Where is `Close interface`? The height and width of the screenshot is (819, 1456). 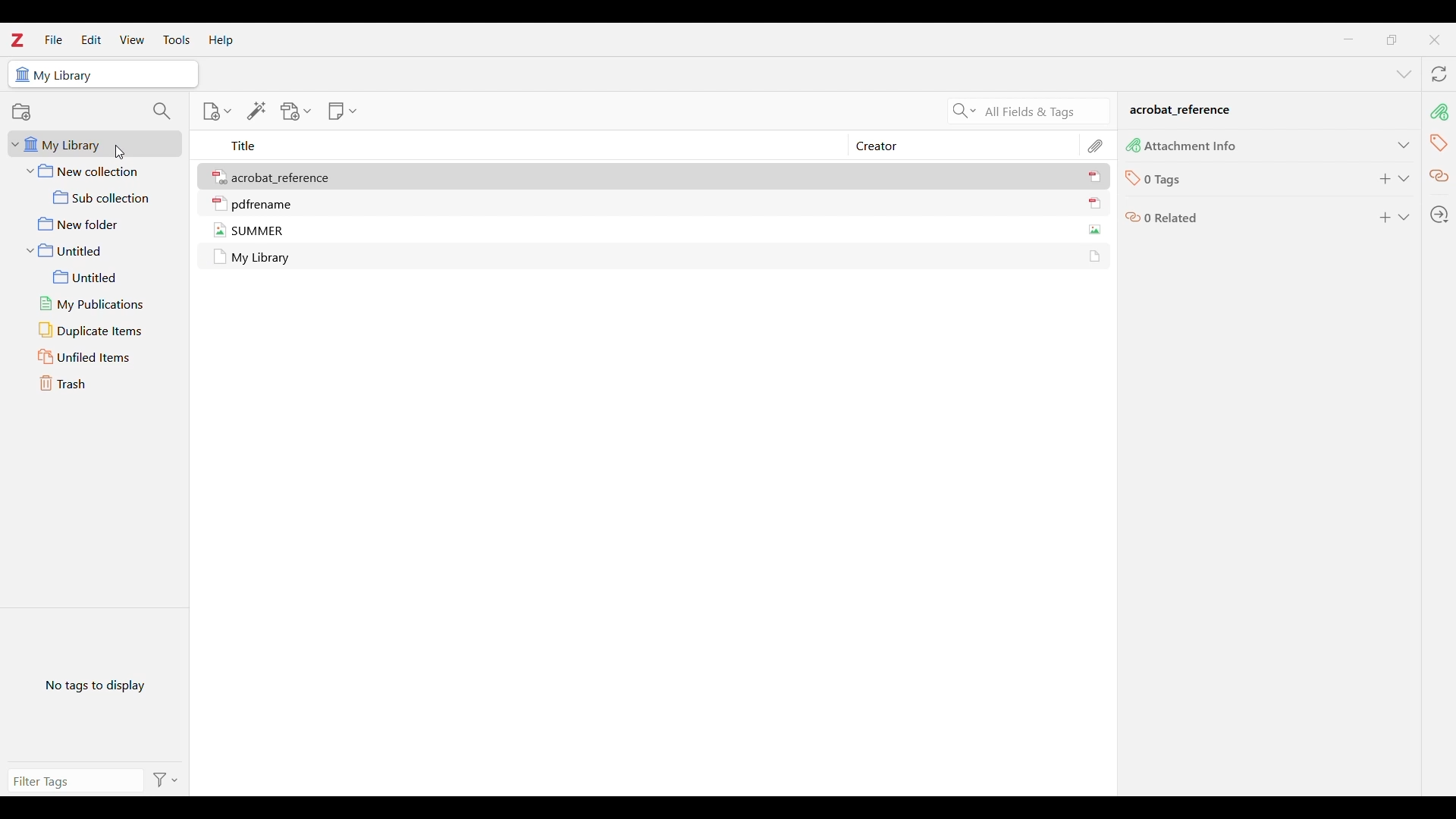 Close interface is located at coordinates (1434, 40).